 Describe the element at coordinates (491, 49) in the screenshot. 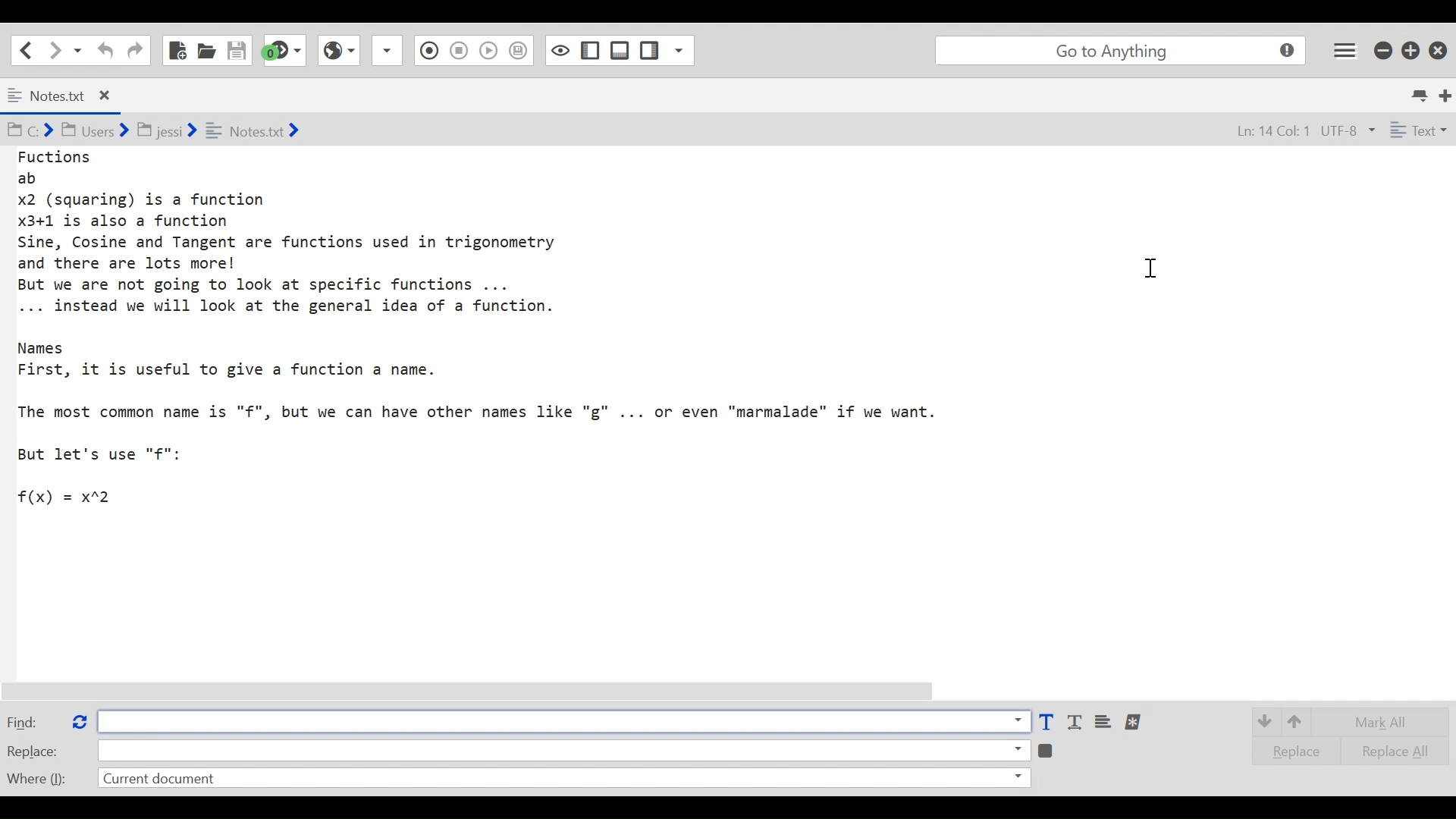

I see `Save Macro to Toolbox as Superscript` at that location.